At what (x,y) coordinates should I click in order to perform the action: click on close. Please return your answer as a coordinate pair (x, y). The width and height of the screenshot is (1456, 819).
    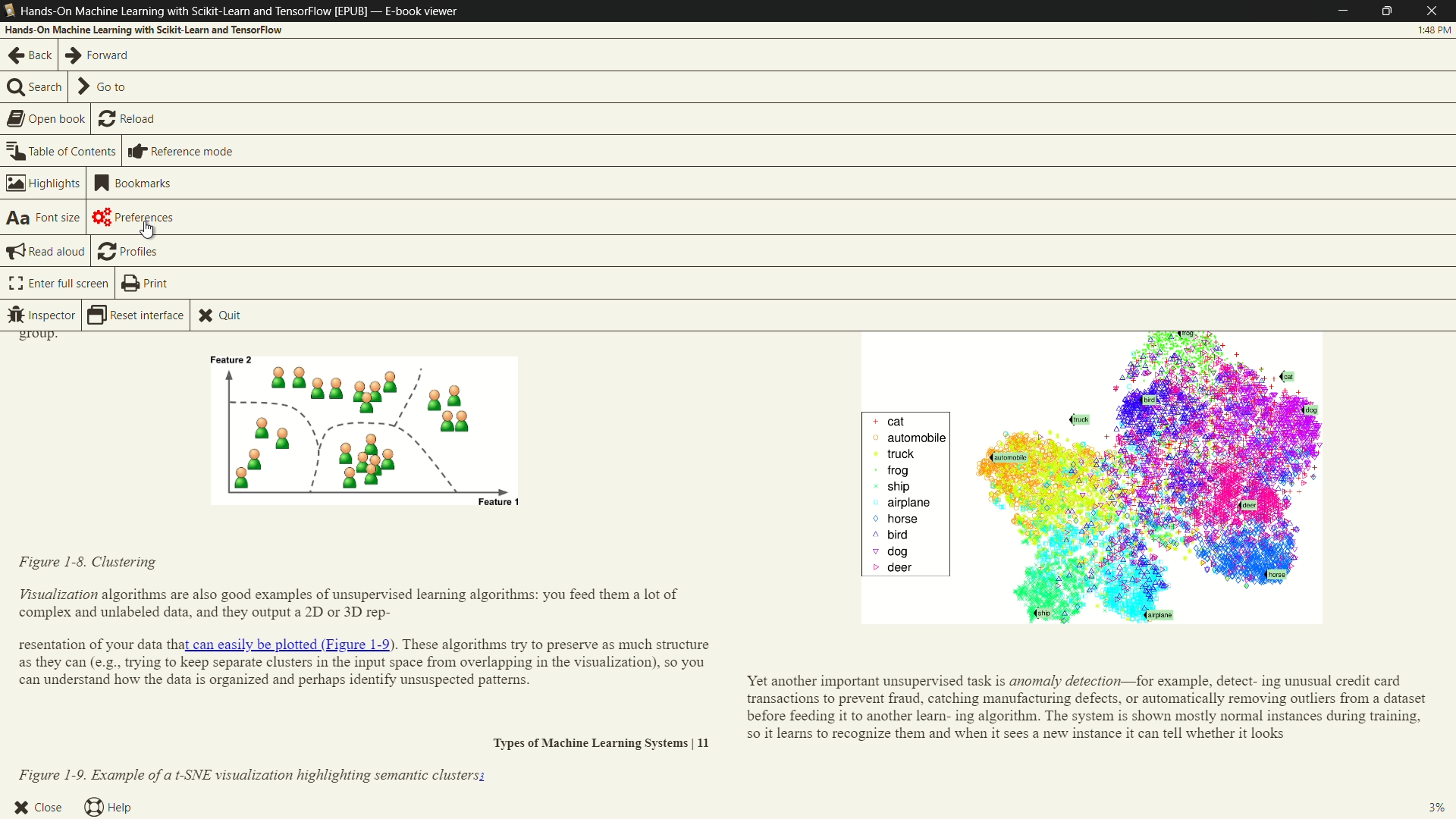
    Looking at the image, I should click on (38, 805).